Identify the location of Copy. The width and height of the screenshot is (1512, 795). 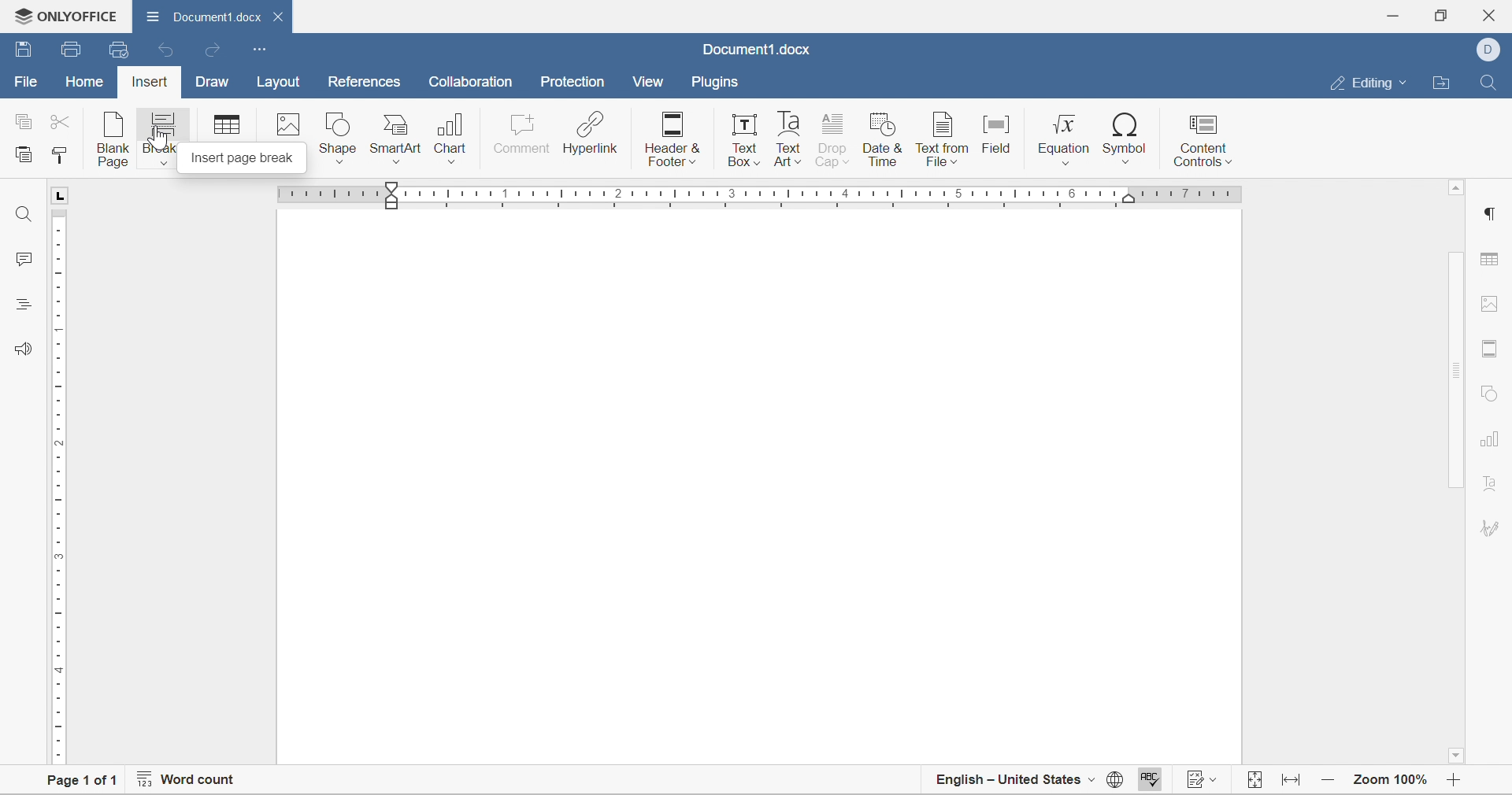
(23, 120).